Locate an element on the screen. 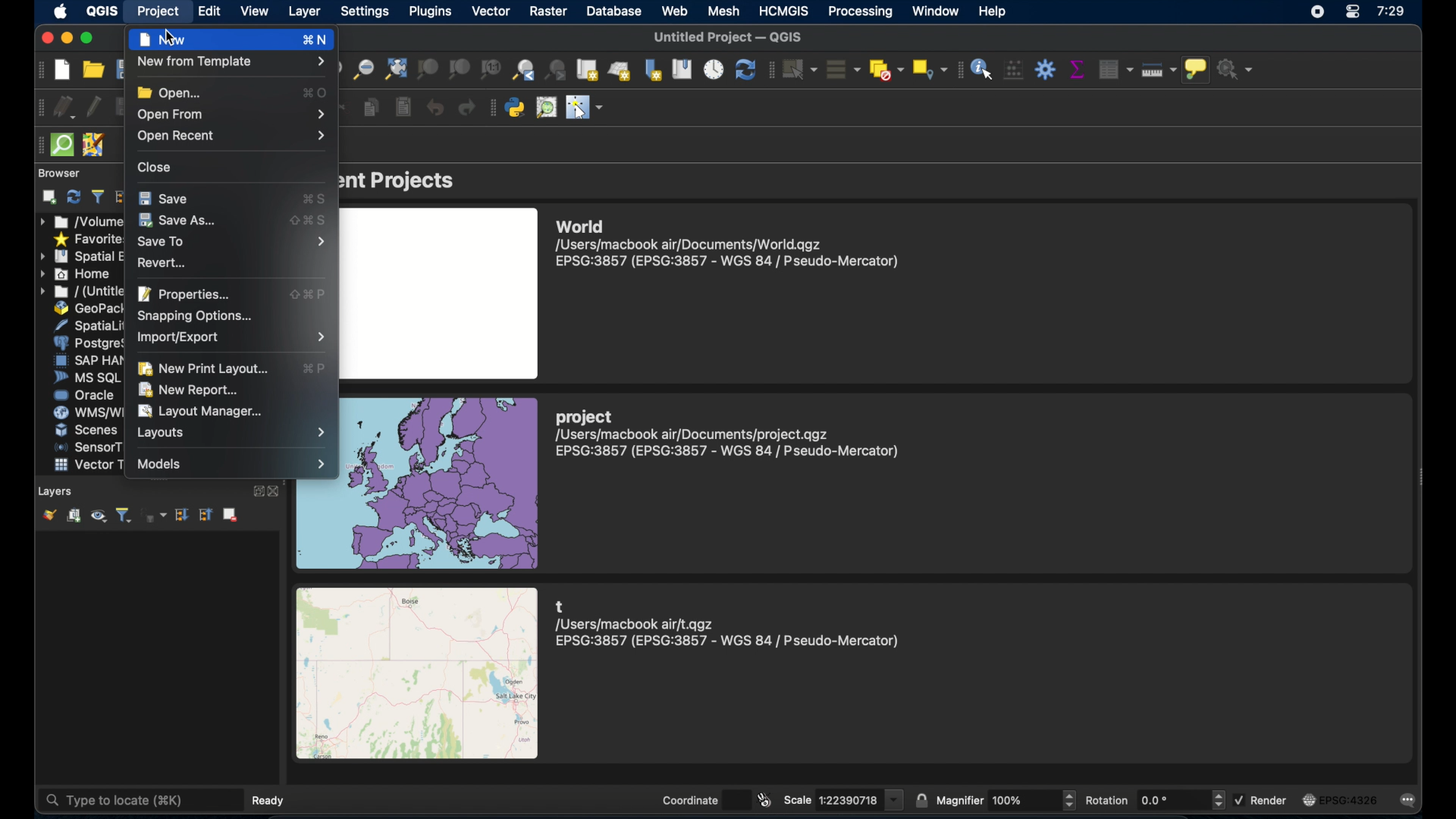 This screenshot has height=819, width=1456. plugins is located at coordinates (435, 11).